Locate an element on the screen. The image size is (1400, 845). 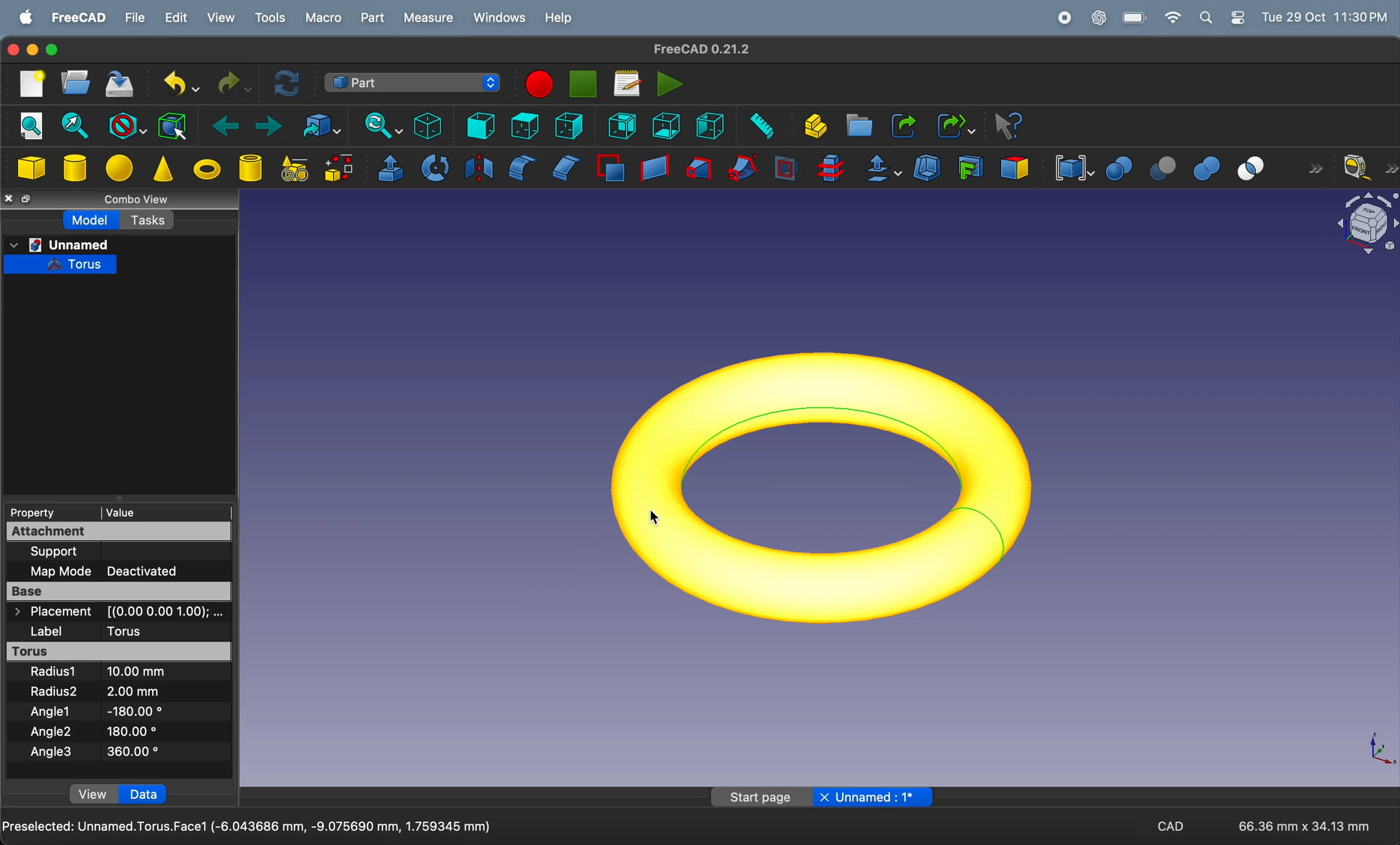
part is located at coordinates (373, 18).